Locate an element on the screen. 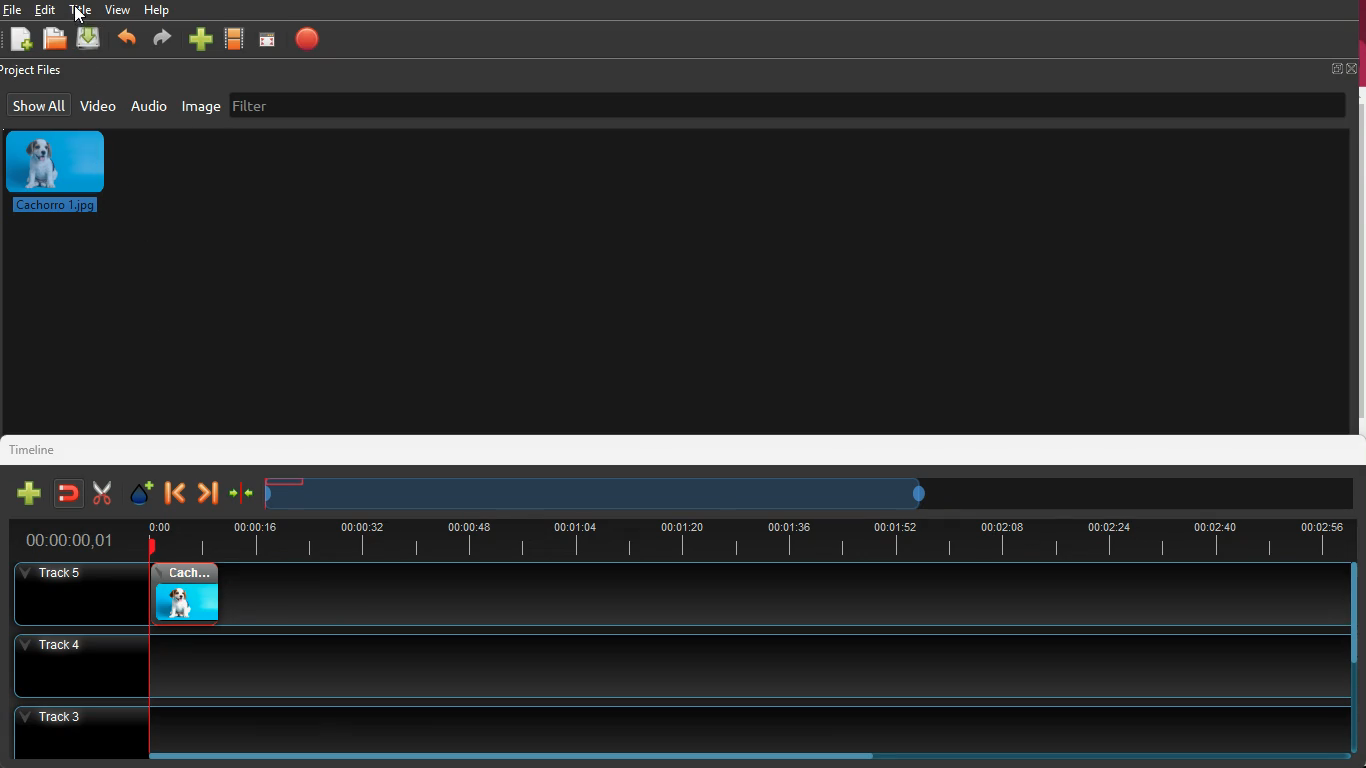 This screenshot has height=768, width=1366. effect is located at coordinates (138, 492).